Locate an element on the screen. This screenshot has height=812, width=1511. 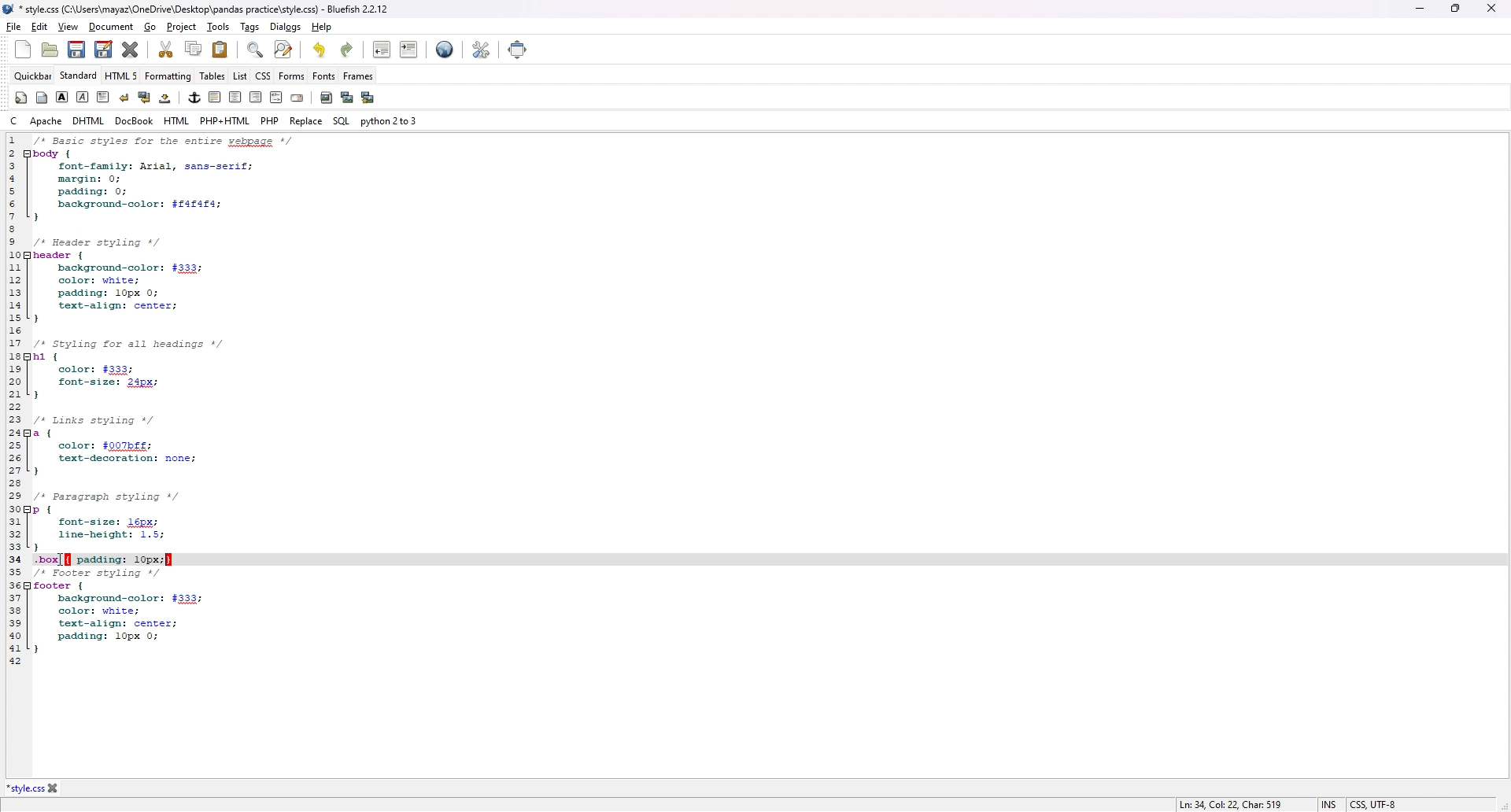
edit is located at coordinates (39, 27).